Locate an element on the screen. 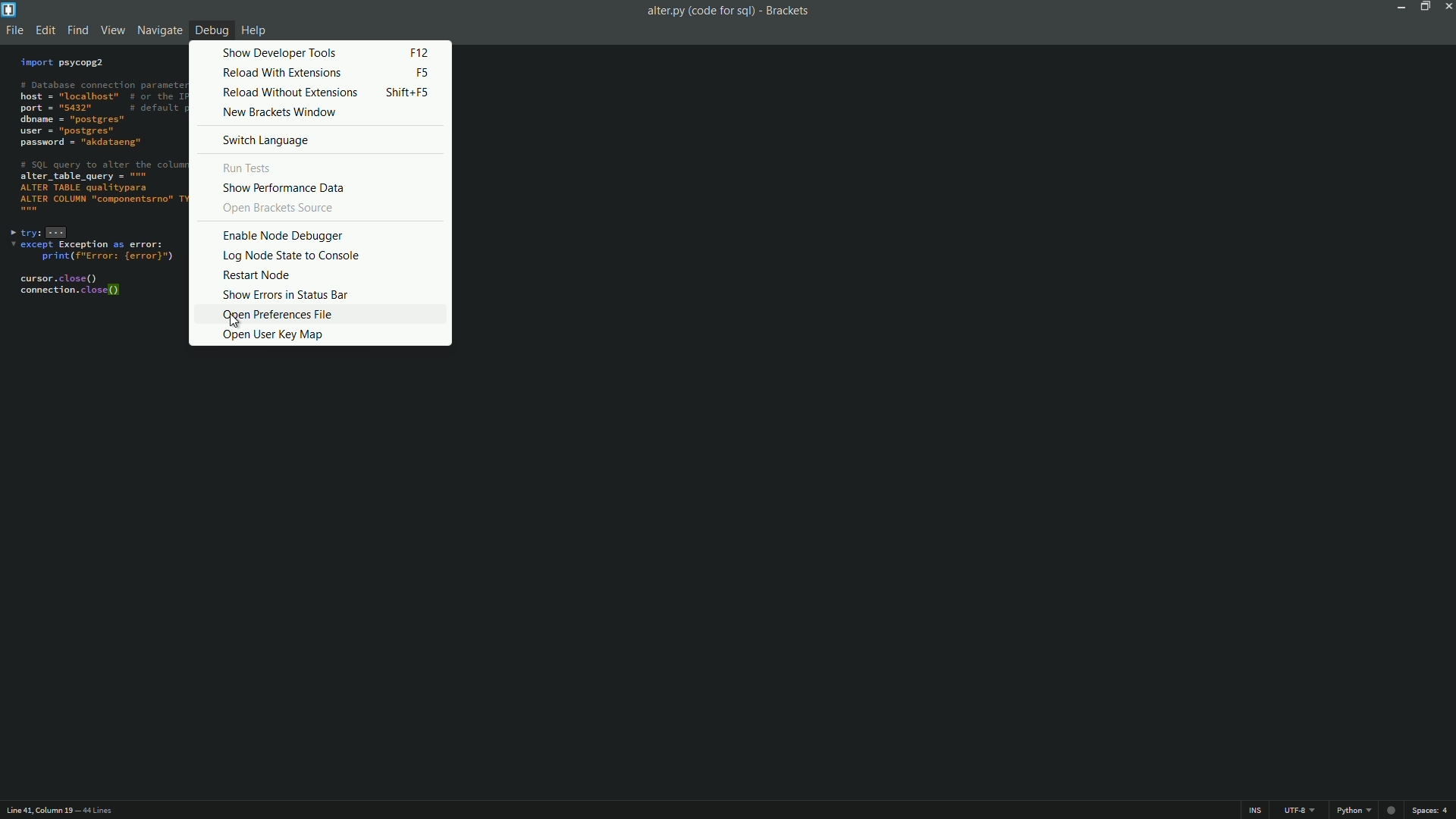 The width and height of the screenshot is (1456, 819). Open preferences file is located at coordinates (320, 313).